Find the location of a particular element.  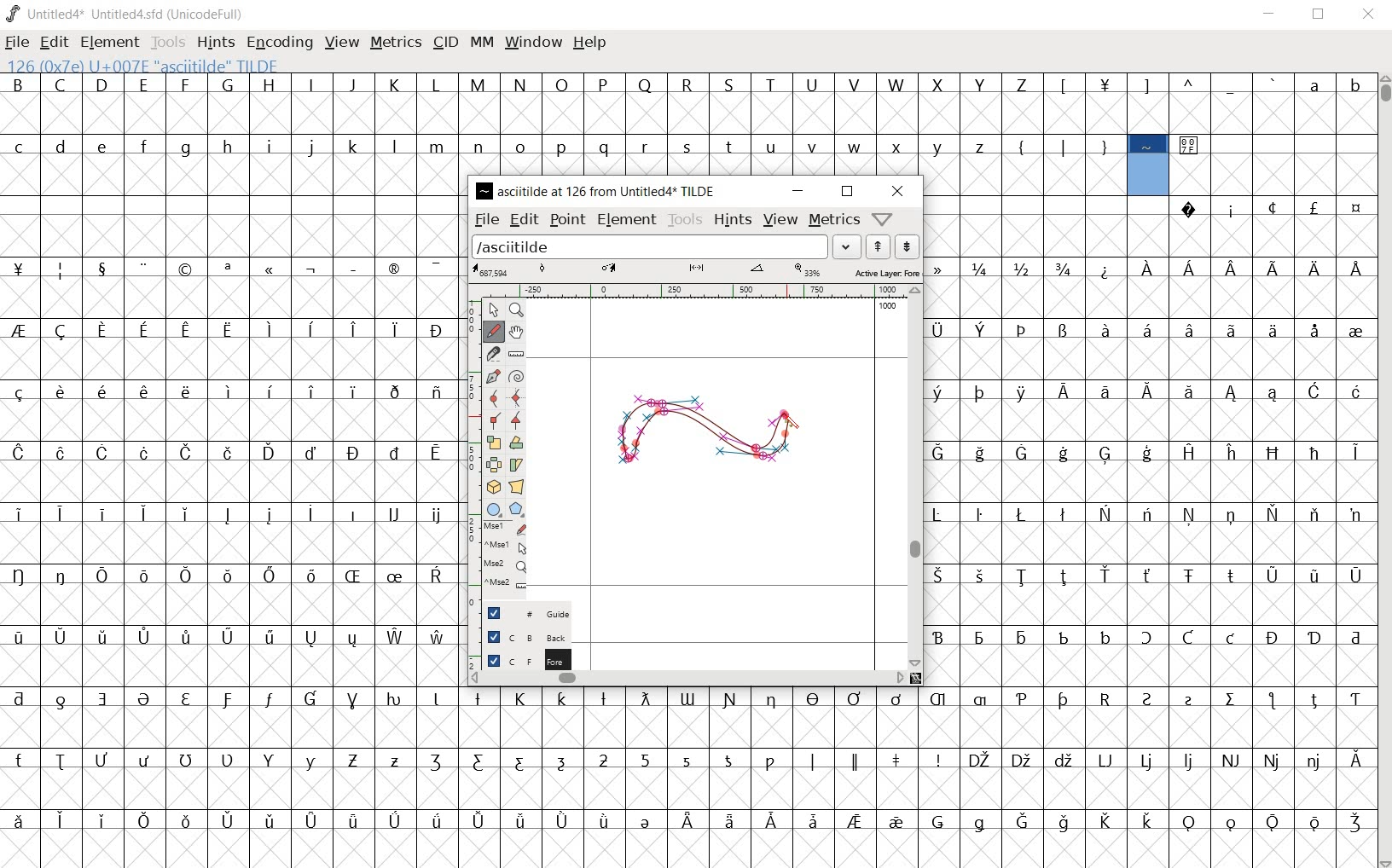

126 (0X7e) U+007E "asciitilde" TILDE is located at coordinates (1150, 166).